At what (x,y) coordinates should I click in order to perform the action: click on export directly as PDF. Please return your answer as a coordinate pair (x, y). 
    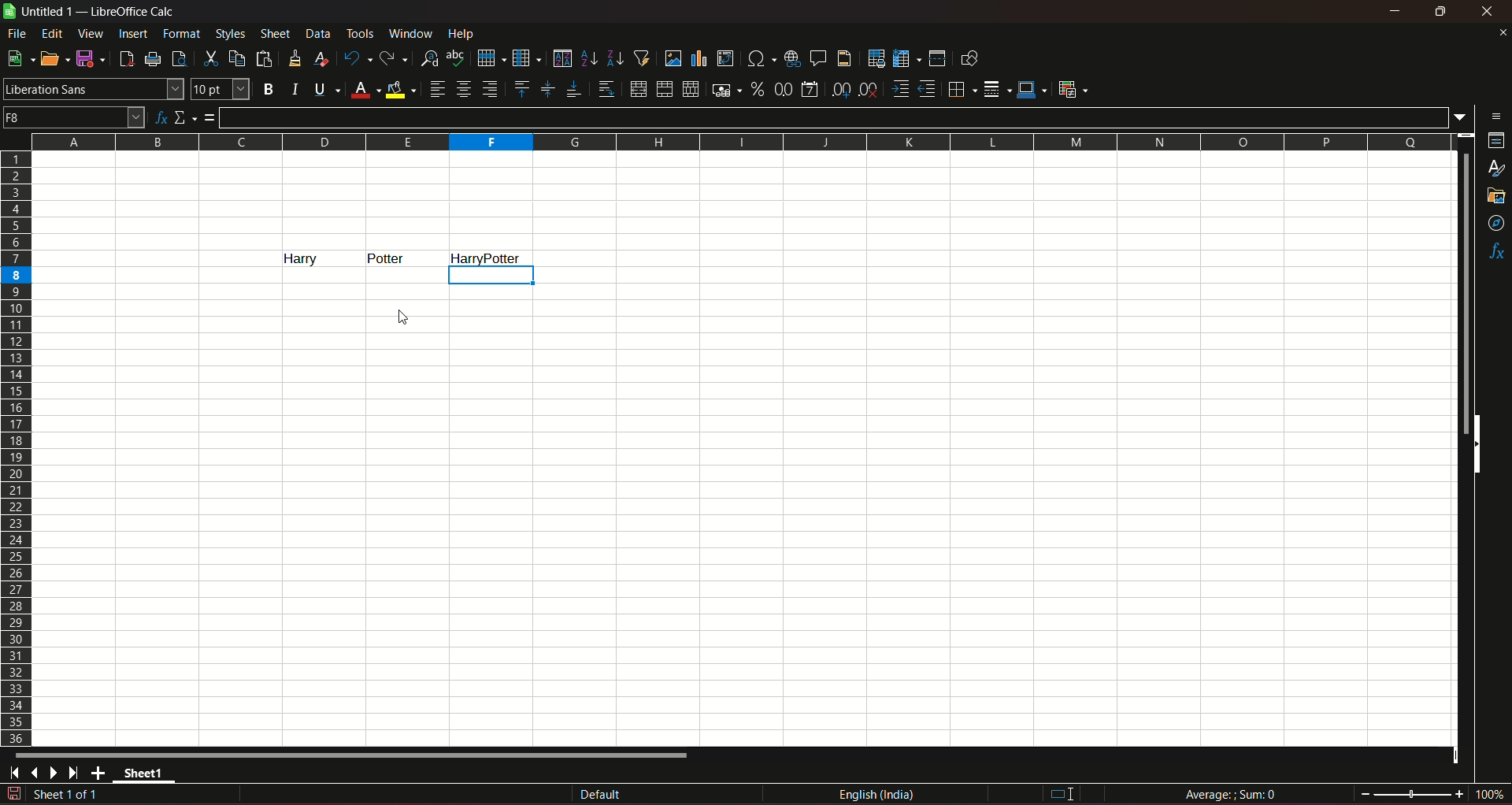
    Looking at the image, I should click on (125, 57).